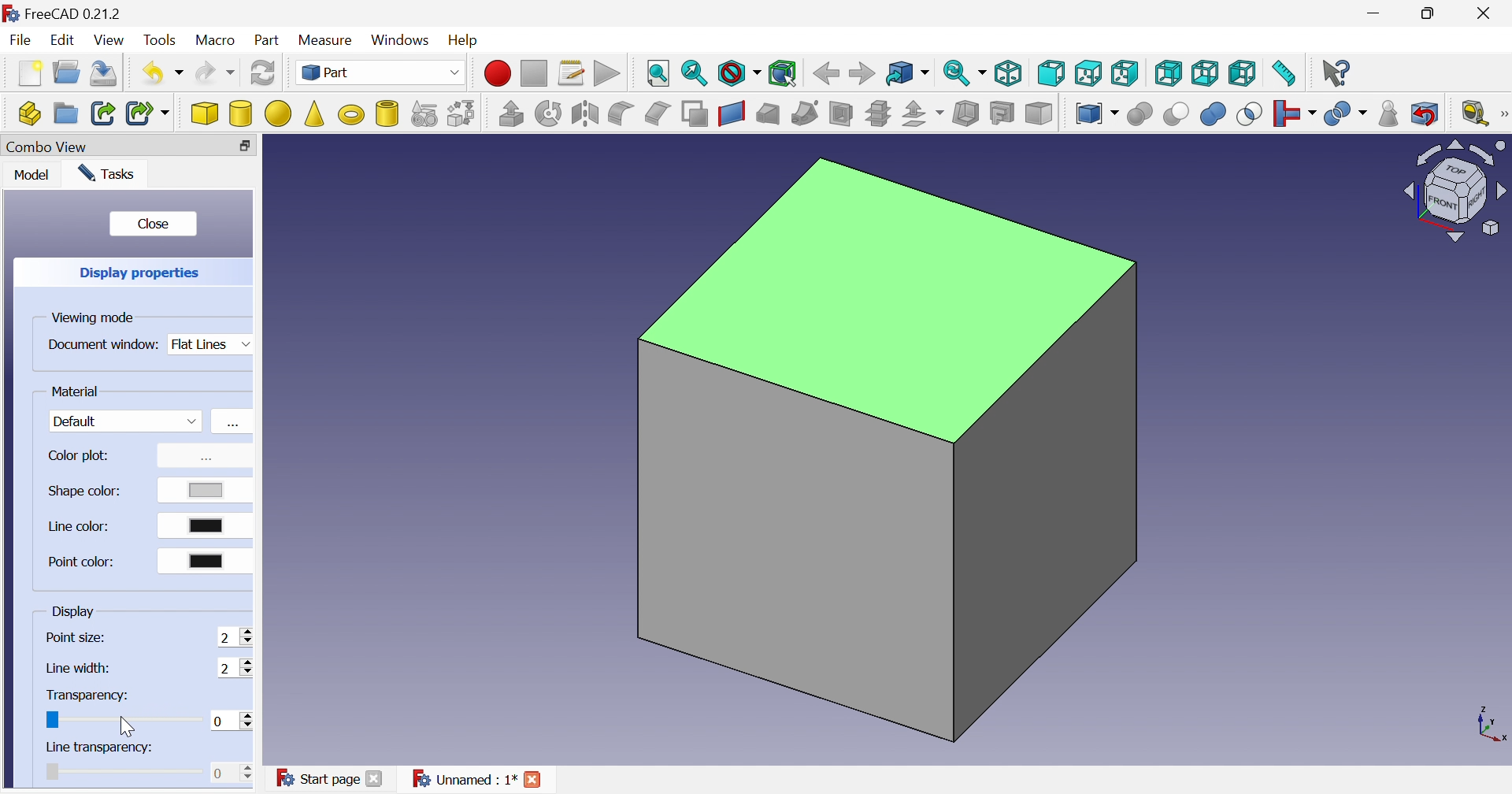 This screenshot has height=794, width=1512. Describe the element at coordinates (1042, 114) in the screenshot. I see `Color per face` at that location.